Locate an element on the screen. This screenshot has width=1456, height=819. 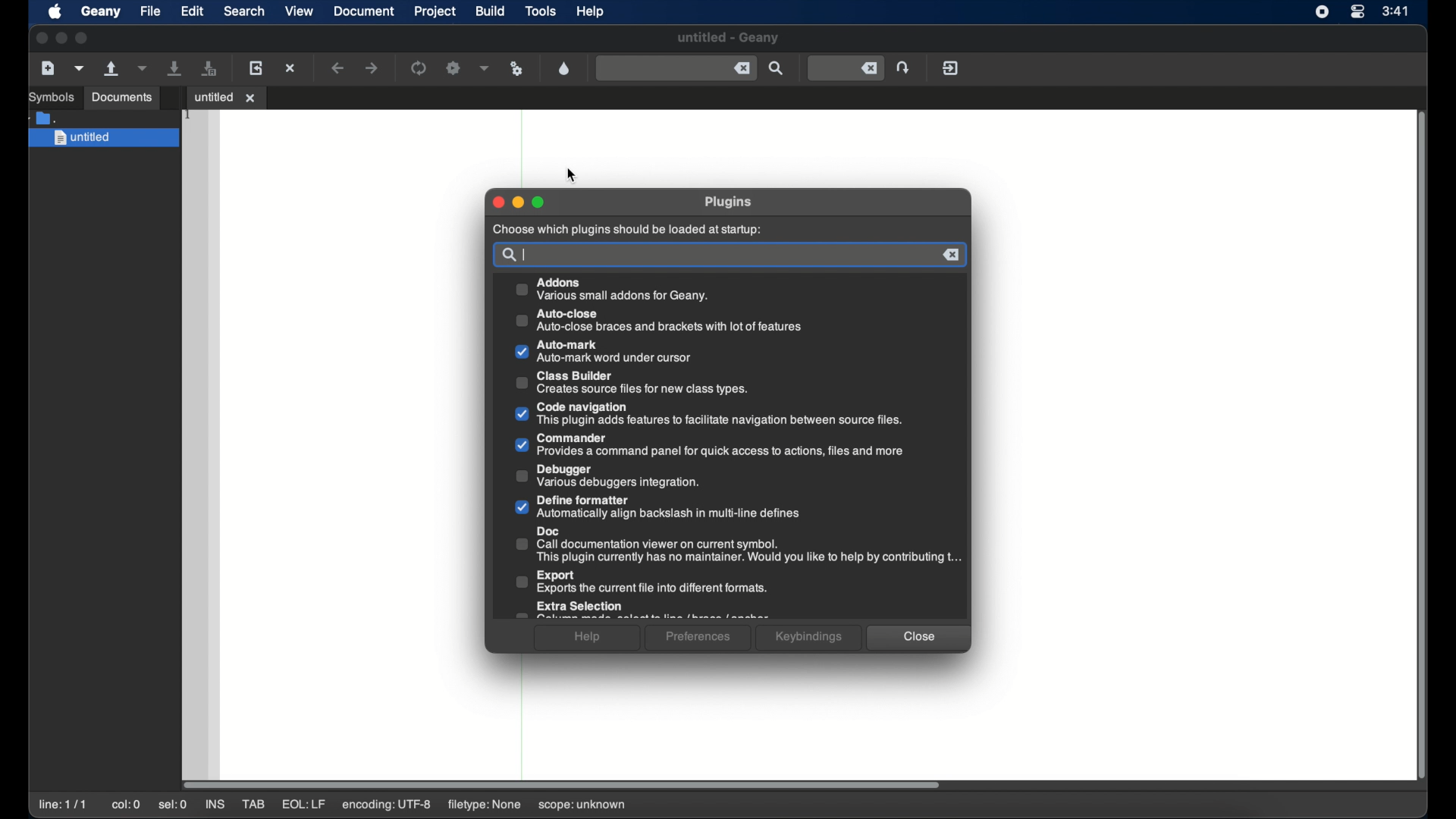
ins is located at coordinates (217, 805).